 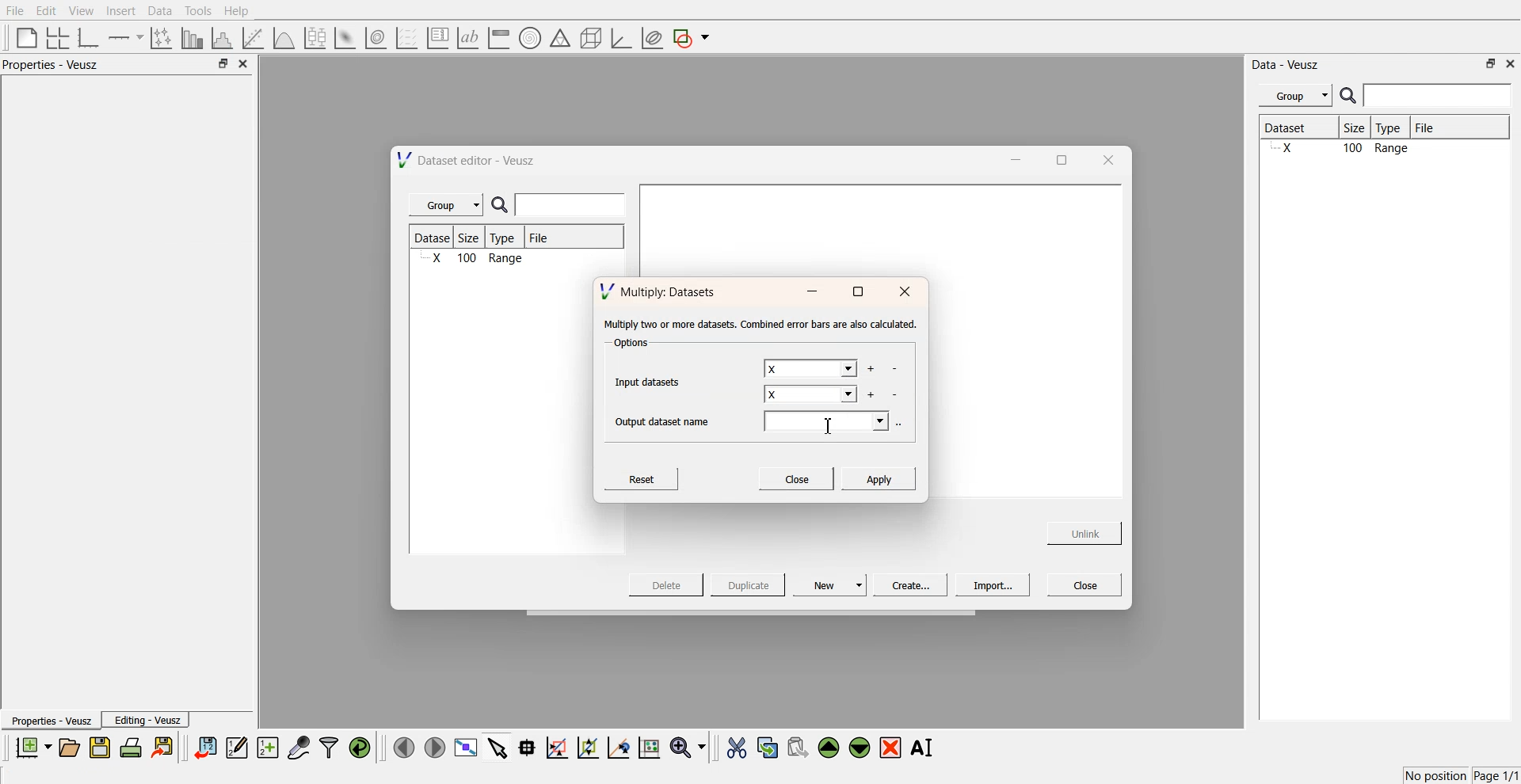 What do you see at coordinates (344, 37) in the screenshot?
I see `plot a 2d datasets as image` at bounding box center [344, 37].